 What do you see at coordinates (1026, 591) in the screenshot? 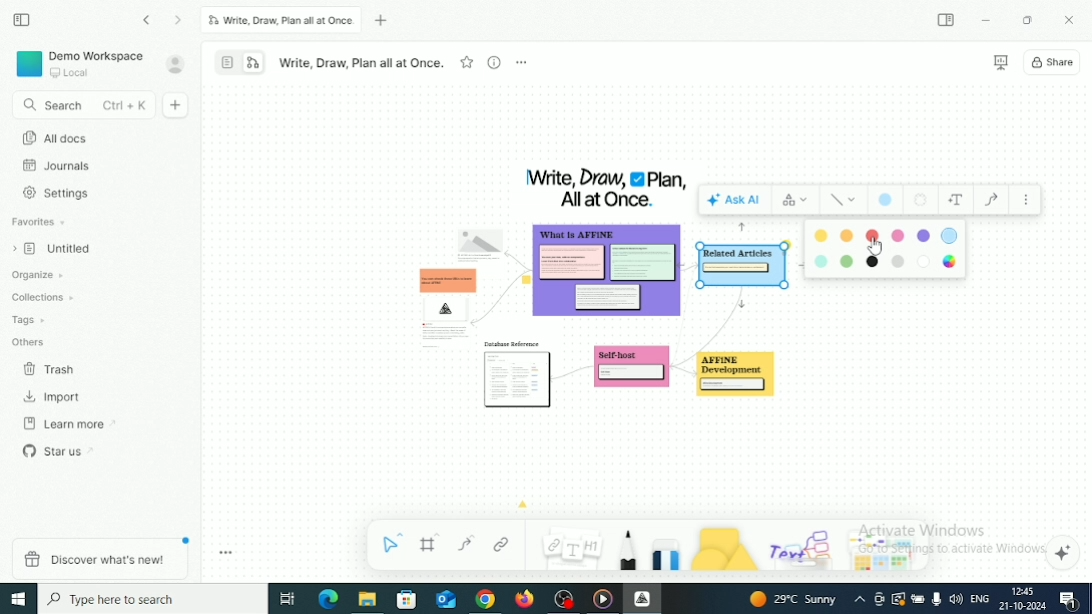
I see `Time` at bounding box center [1026, 591].